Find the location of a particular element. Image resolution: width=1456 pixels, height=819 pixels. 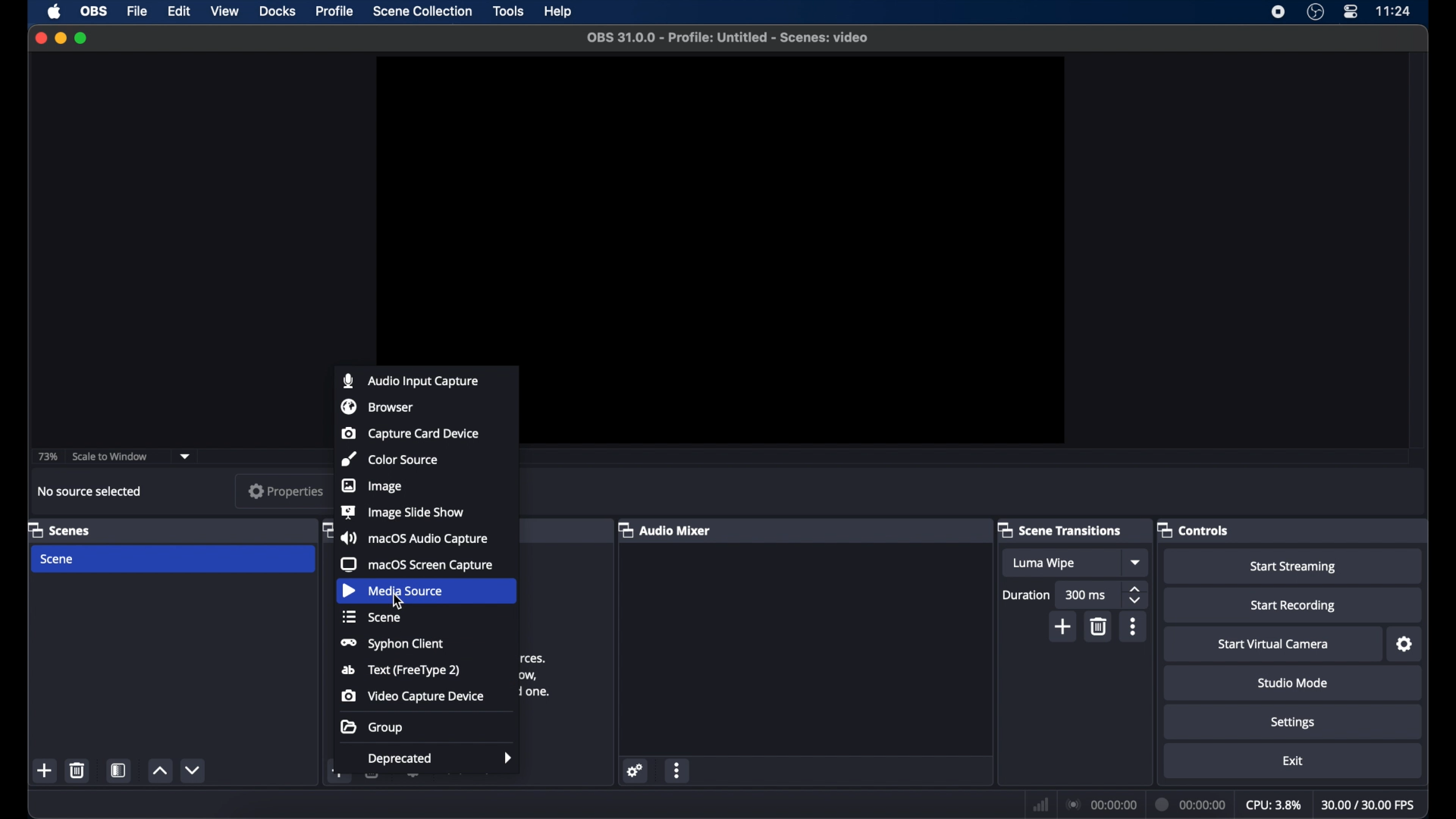

file is located at coordinates (138, 11).